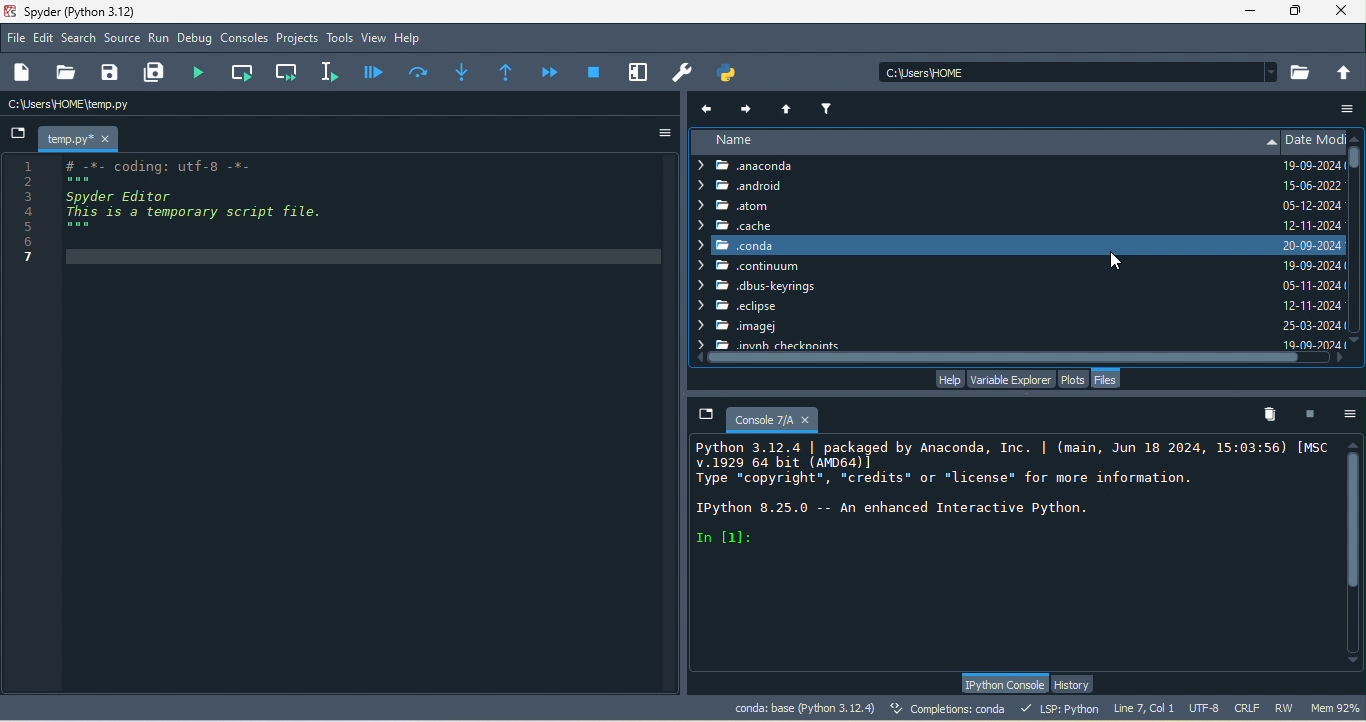 This screenshot has height=722, width=1366. What do you see at coordinates (1008, 495) in the screenshot?
I see `console text` at bounding box center [1008, 495].